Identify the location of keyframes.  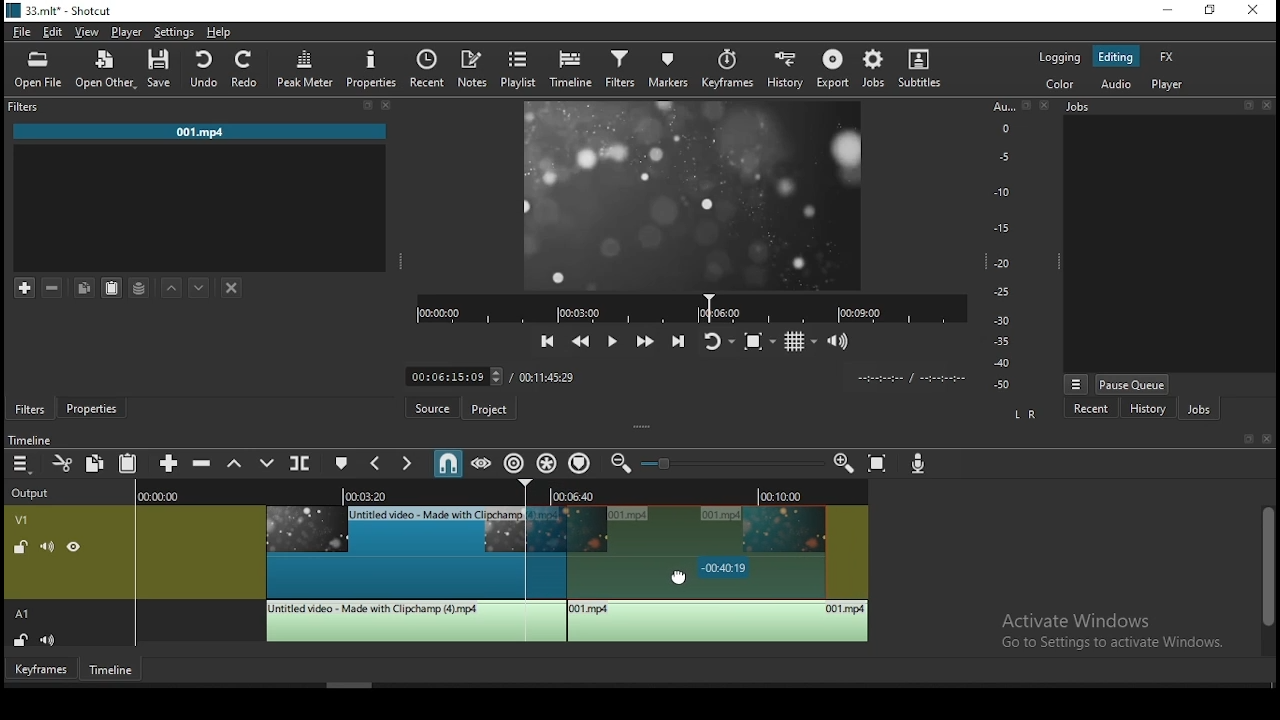
(727, 68).